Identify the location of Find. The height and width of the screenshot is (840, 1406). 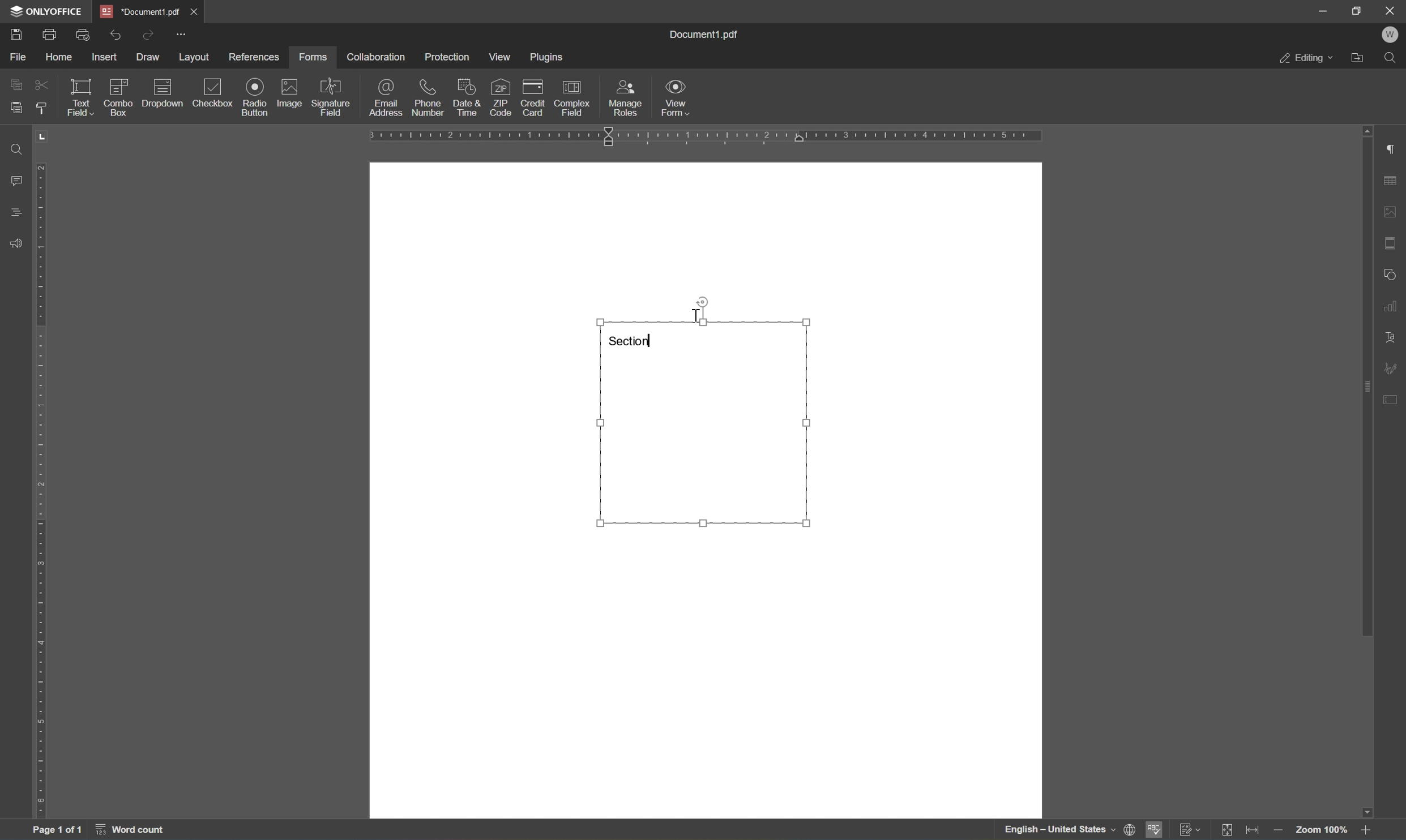
(1394, 61).